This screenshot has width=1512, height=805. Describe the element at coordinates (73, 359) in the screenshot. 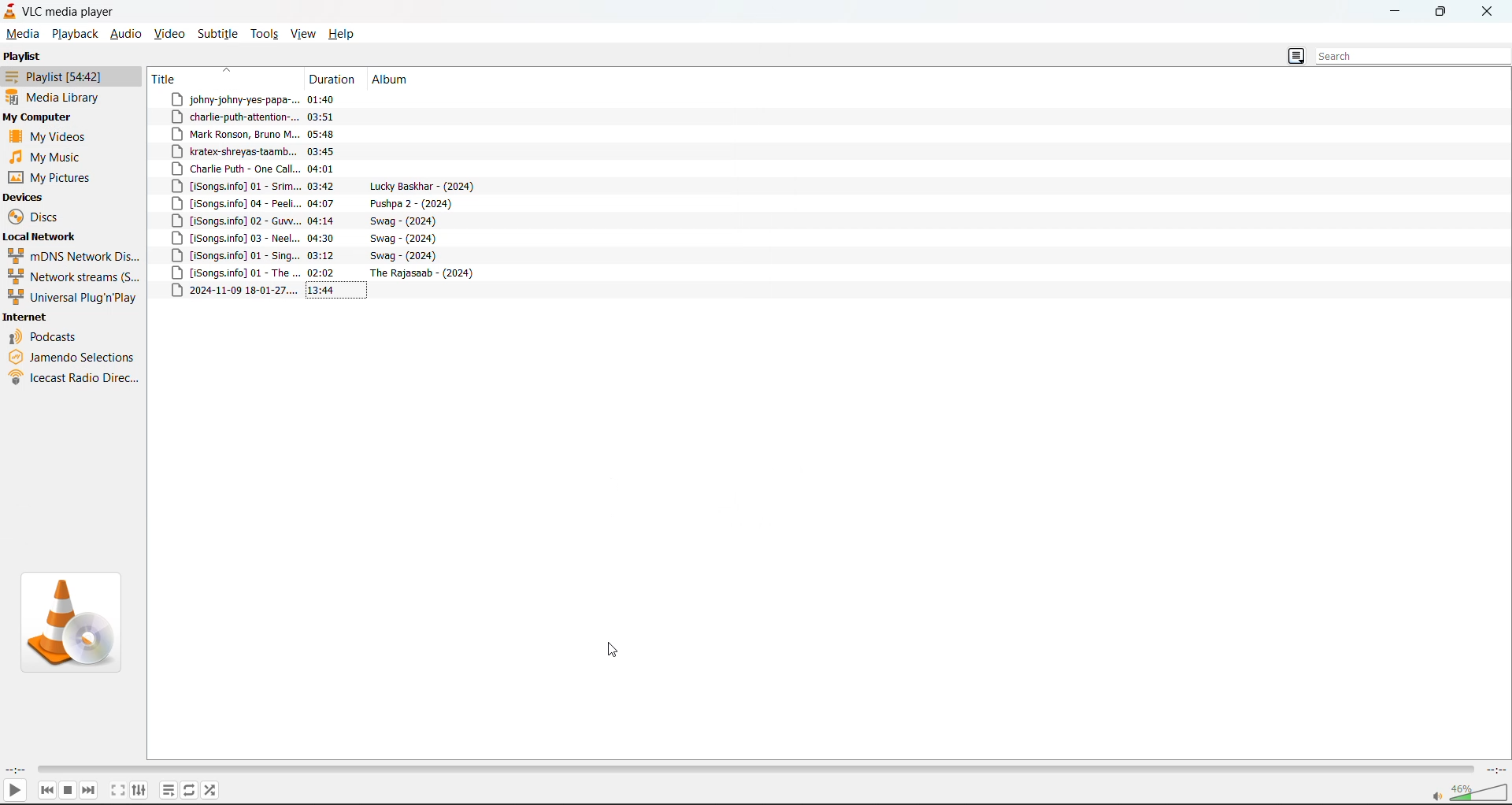

I see `jamendo selections` at that location.